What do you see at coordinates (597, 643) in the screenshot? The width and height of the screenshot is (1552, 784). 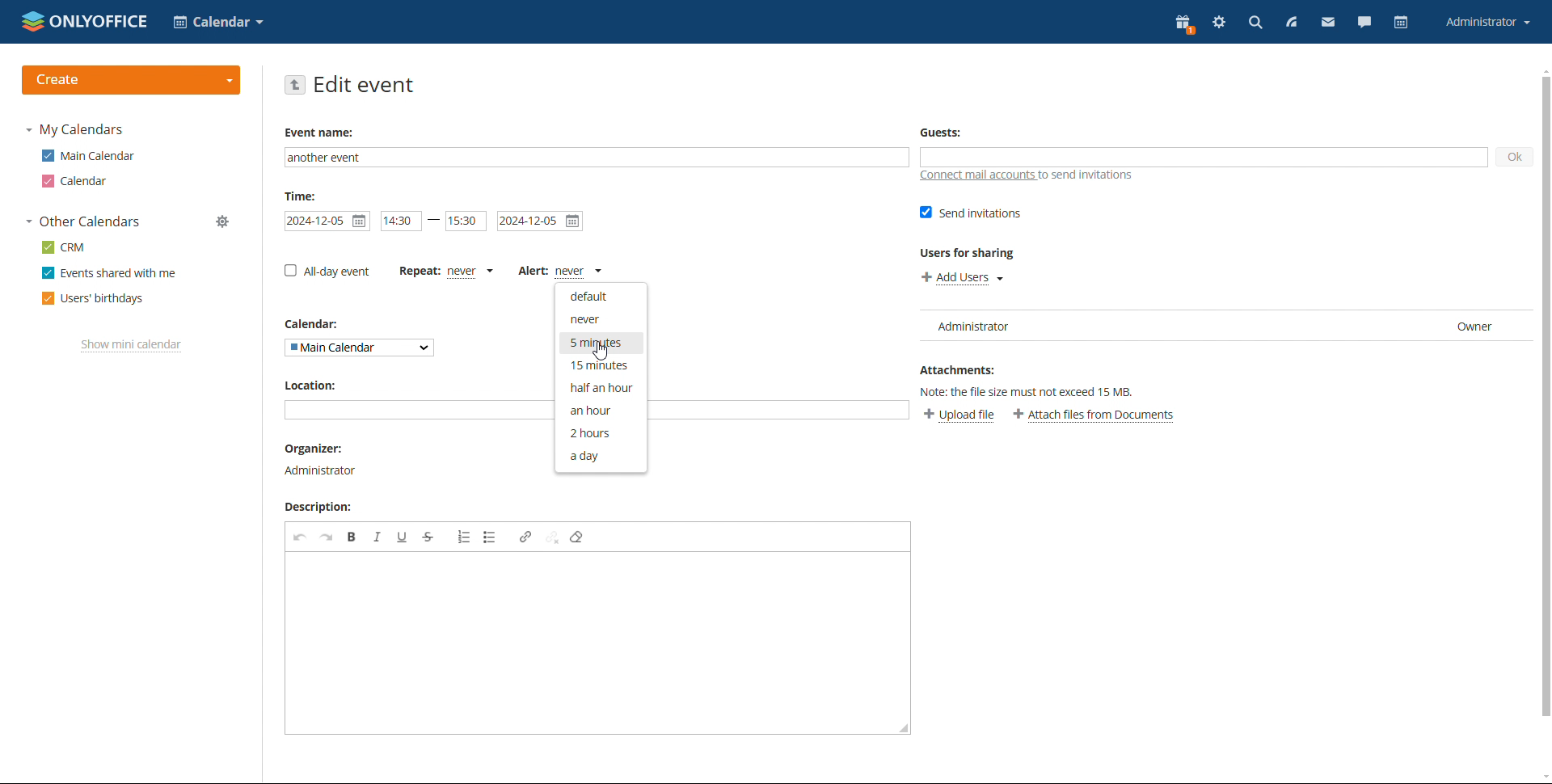 I see `edit description` at bounding box center [597, 643].